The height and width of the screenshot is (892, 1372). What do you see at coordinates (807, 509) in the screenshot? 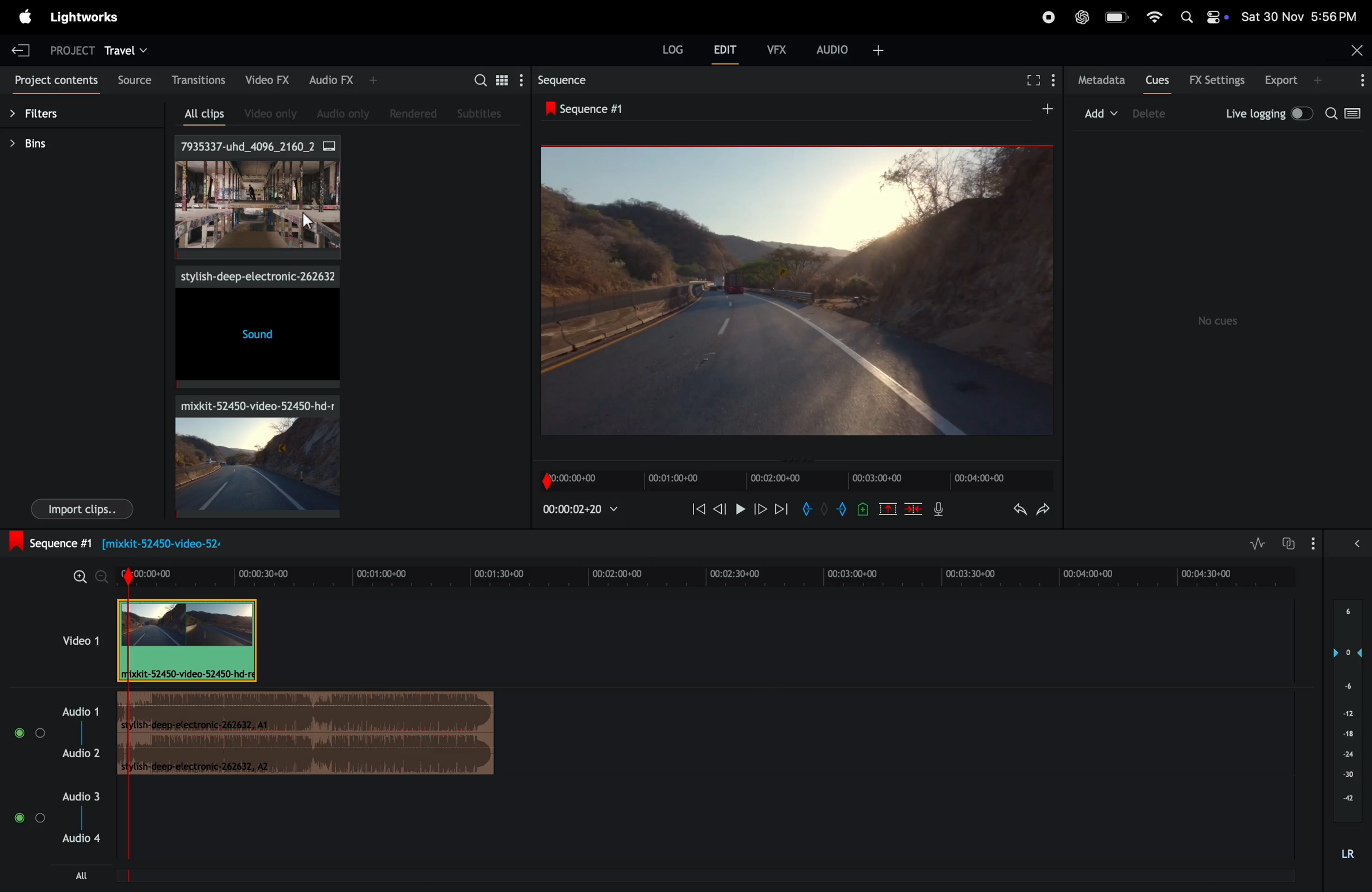
I see `add in` at bounding box center [807, 509].